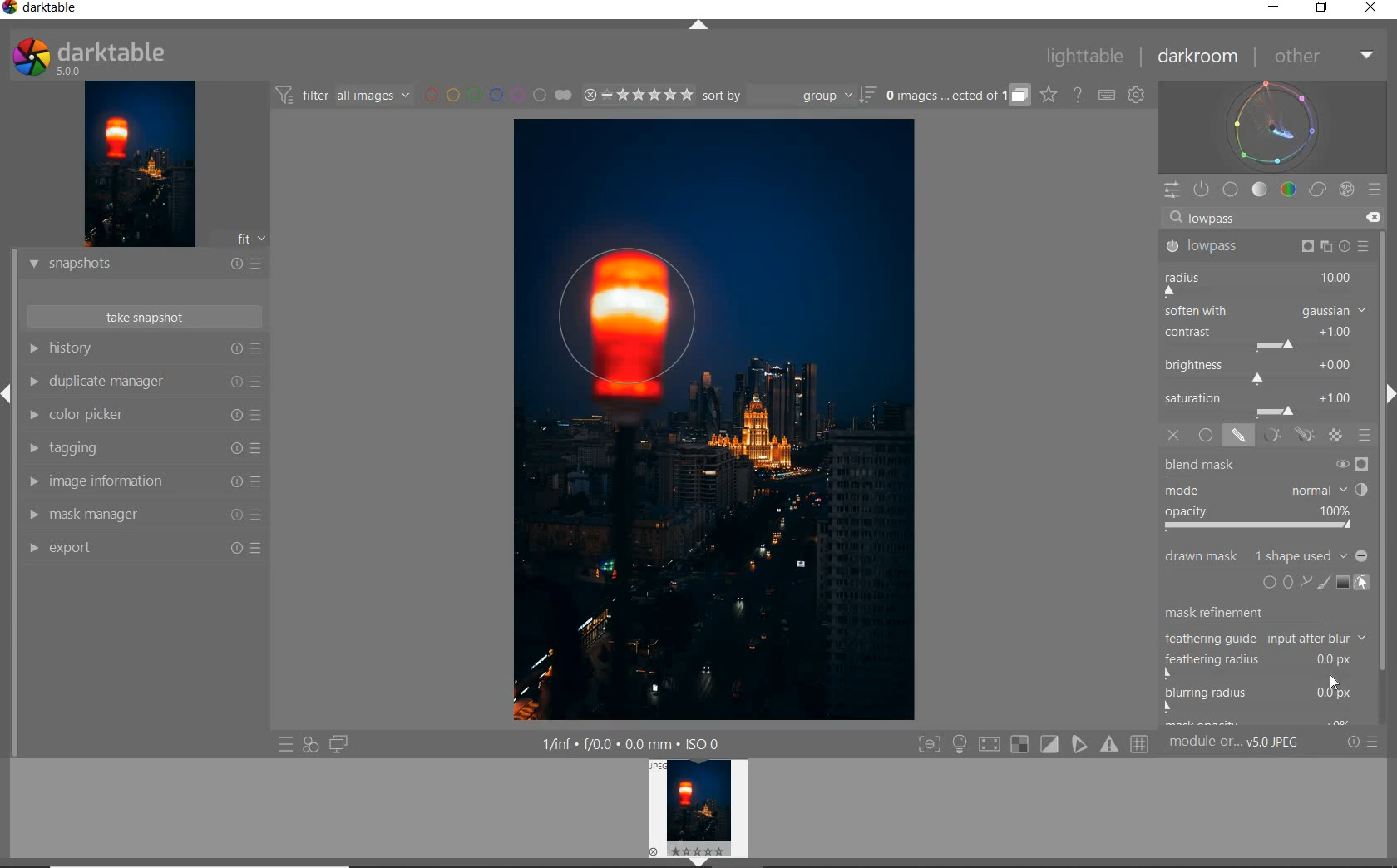  I want to click on FILTER BY IMAGE COLOR LABEL, so click(498, 96).